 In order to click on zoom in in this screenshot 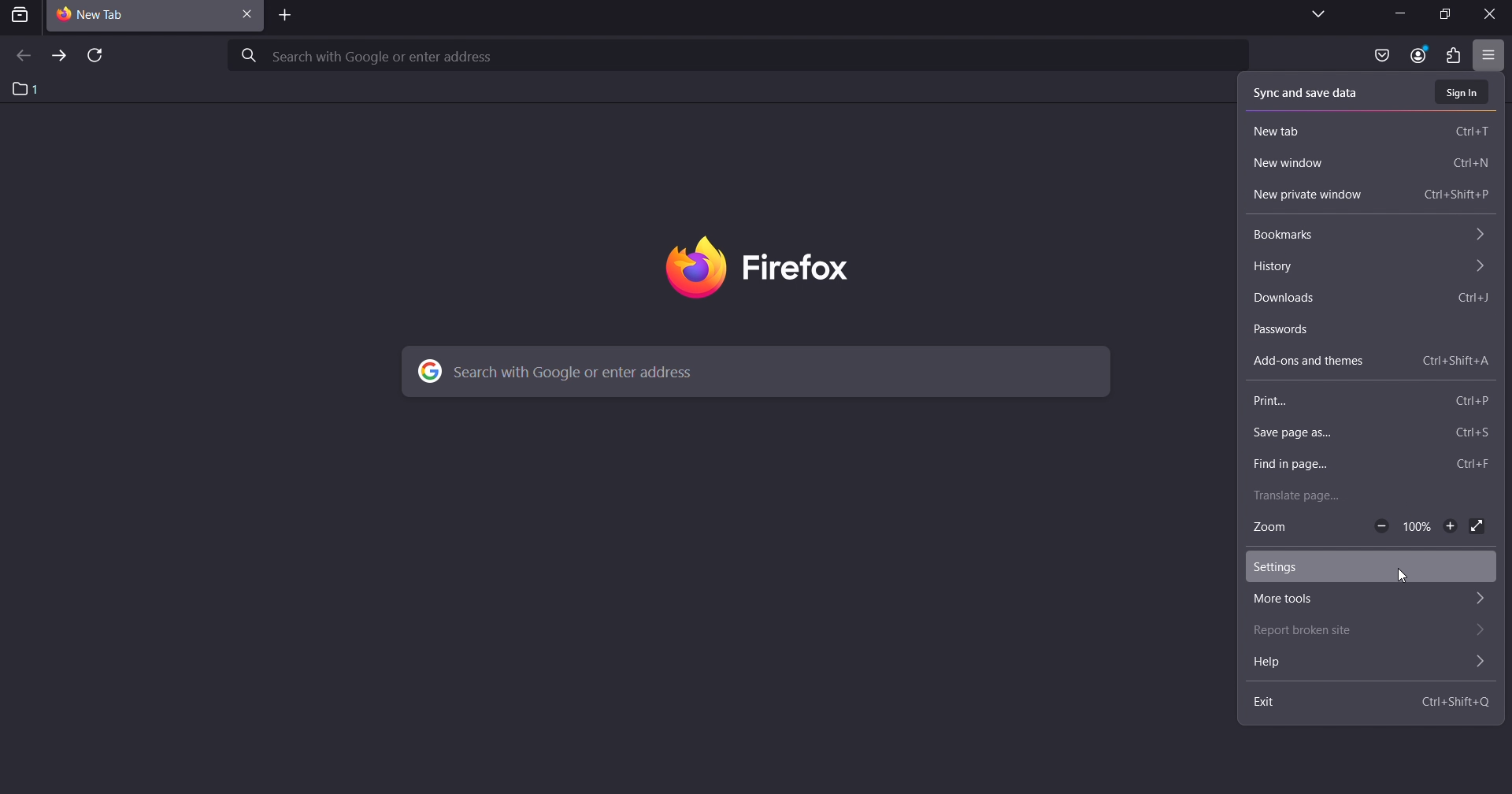, I will do `click(1454, 528)`.